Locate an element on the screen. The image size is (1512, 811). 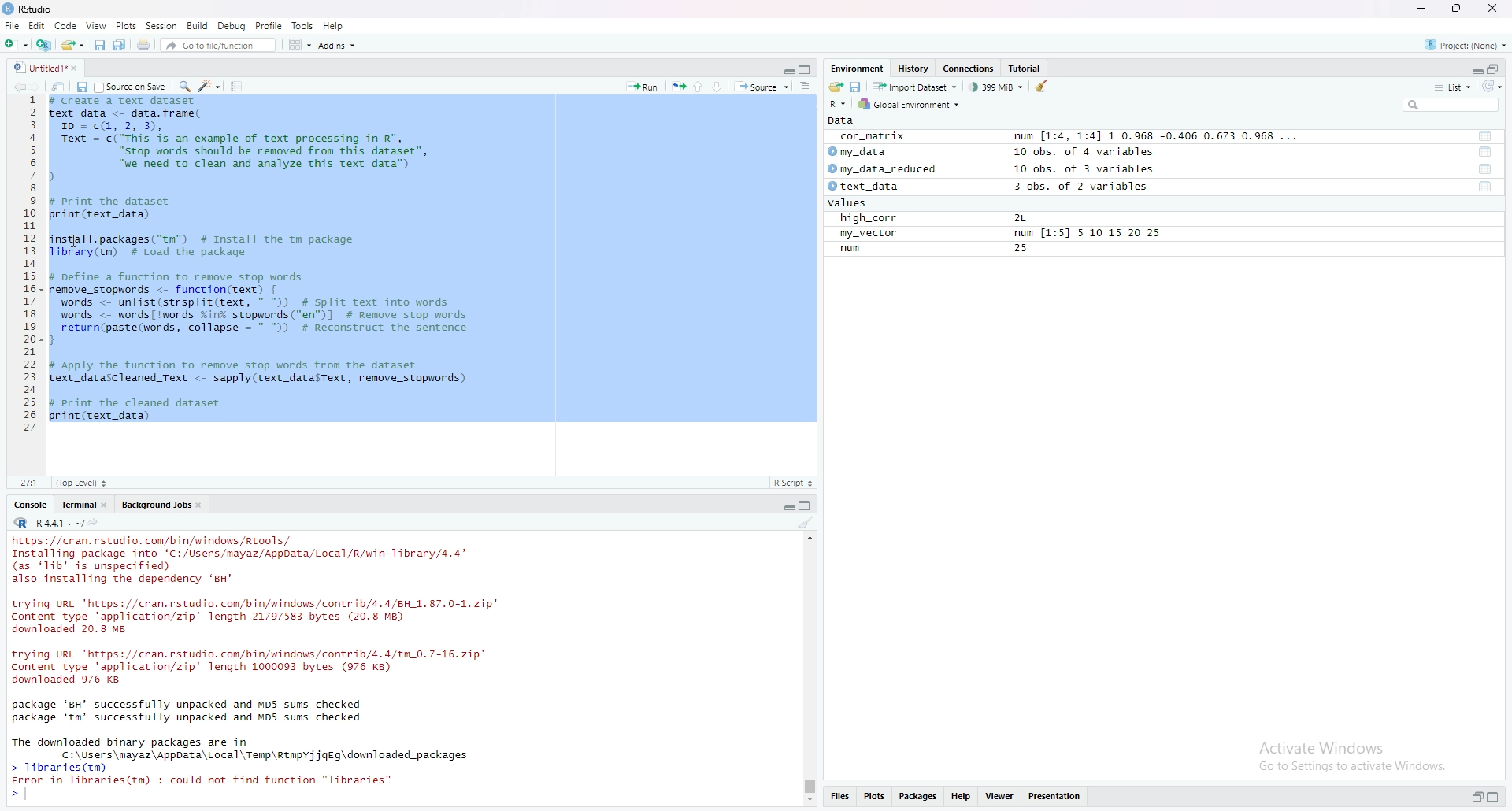
high_corr is located at coordinates (864, 218).